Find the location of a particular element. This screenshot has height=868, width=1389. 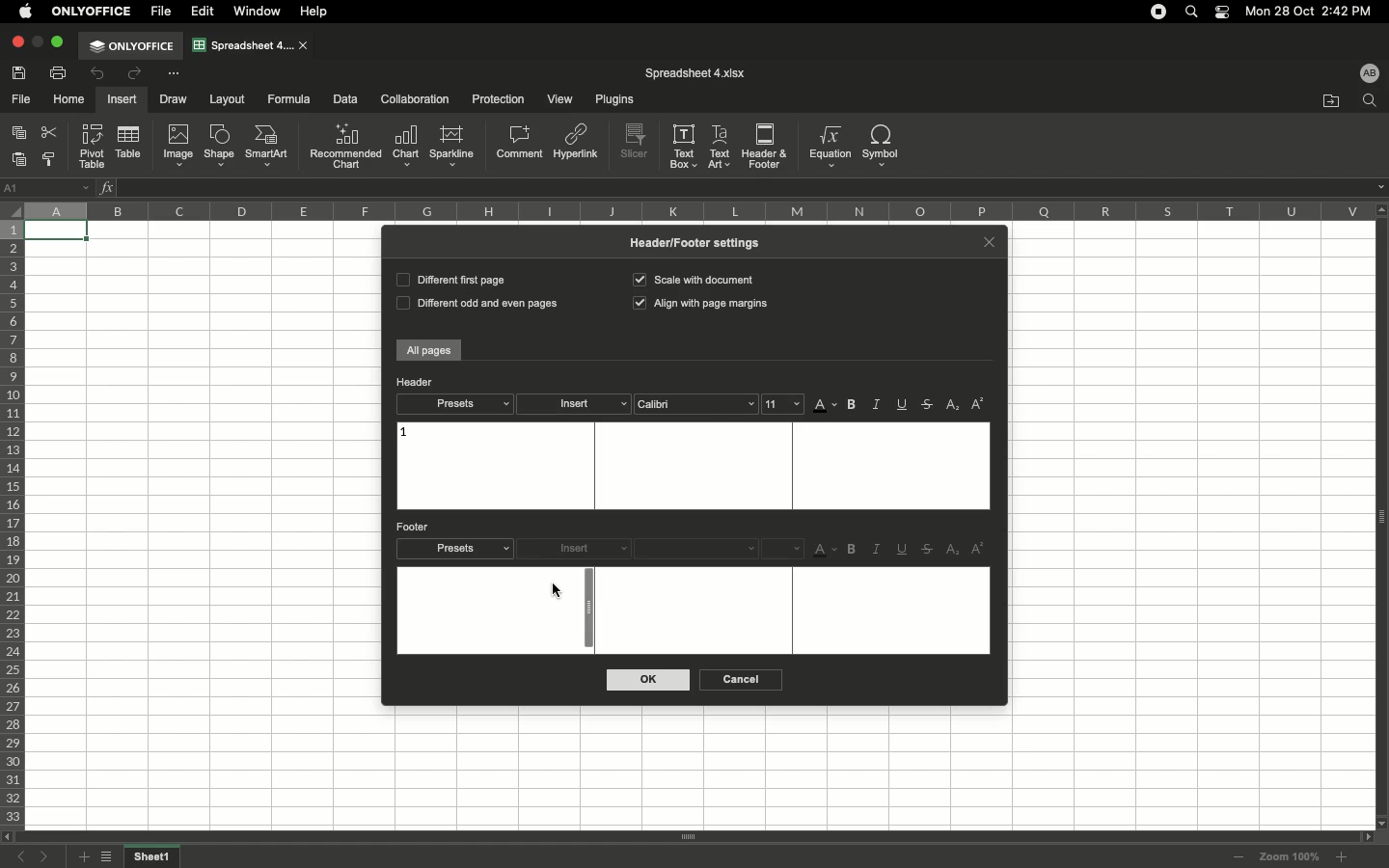

Insert is located at coordinates (578, 549).